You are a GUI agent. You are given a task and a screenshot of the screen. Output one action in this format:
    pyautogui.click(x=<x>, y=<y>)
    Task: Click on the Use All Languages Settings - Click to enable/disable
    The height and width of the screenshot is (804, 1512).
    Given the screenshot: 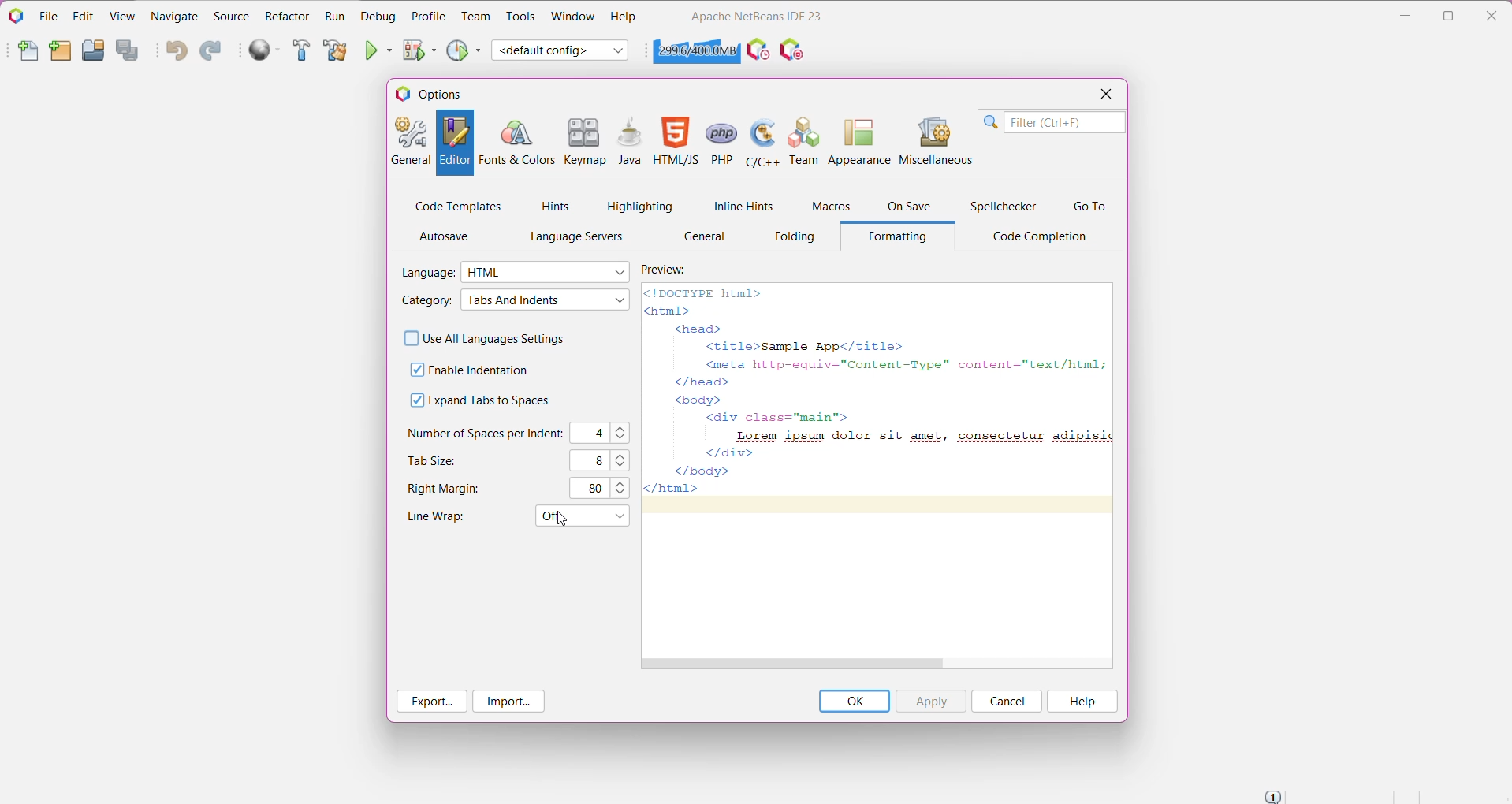 What is the action you would take?
    pyautogui.click(x=485, y=337)
    